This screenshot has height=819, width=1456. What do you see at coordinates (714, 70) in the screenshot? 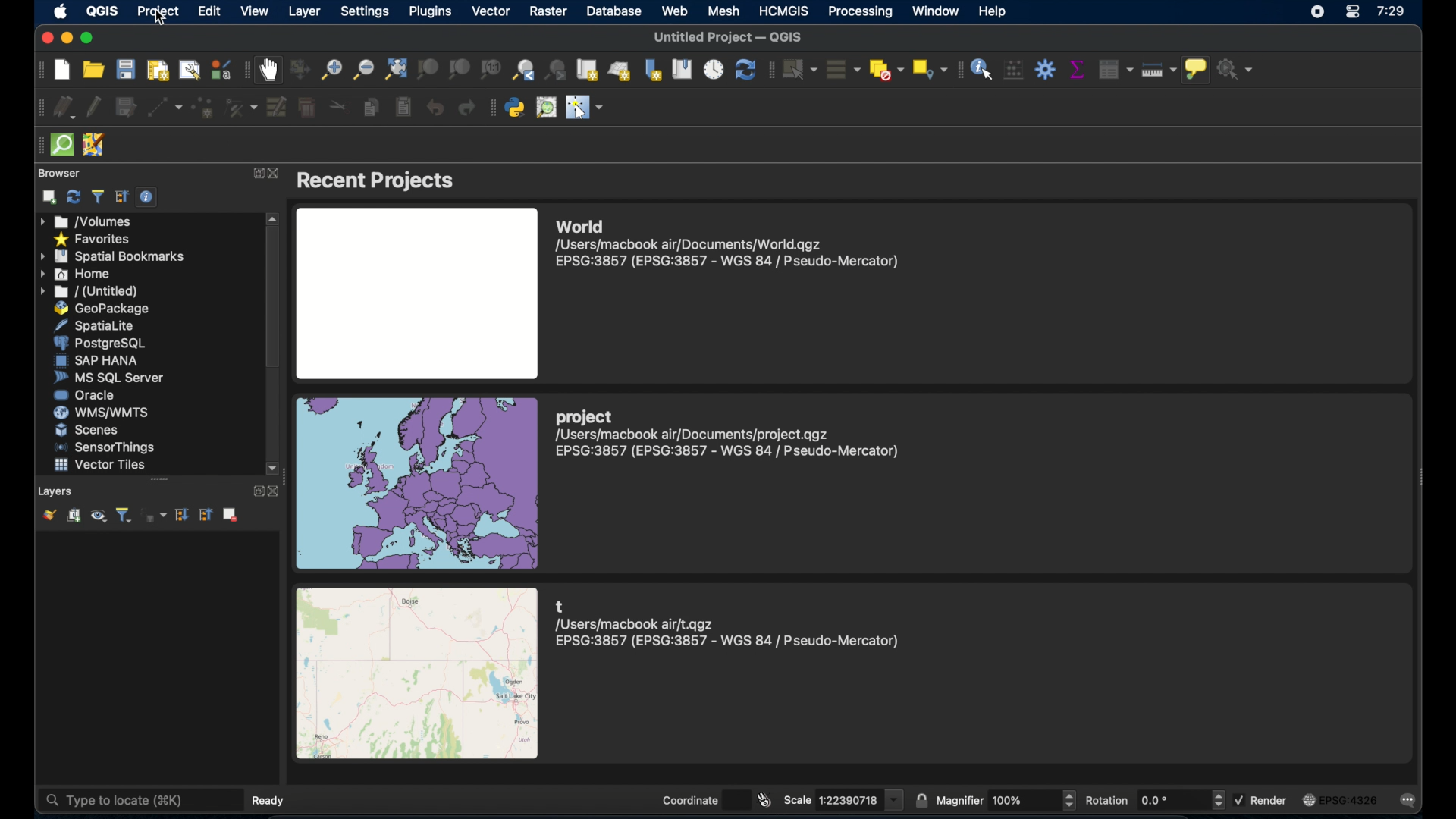
I see `temporal controller panel` at bounding box center [714, 70].